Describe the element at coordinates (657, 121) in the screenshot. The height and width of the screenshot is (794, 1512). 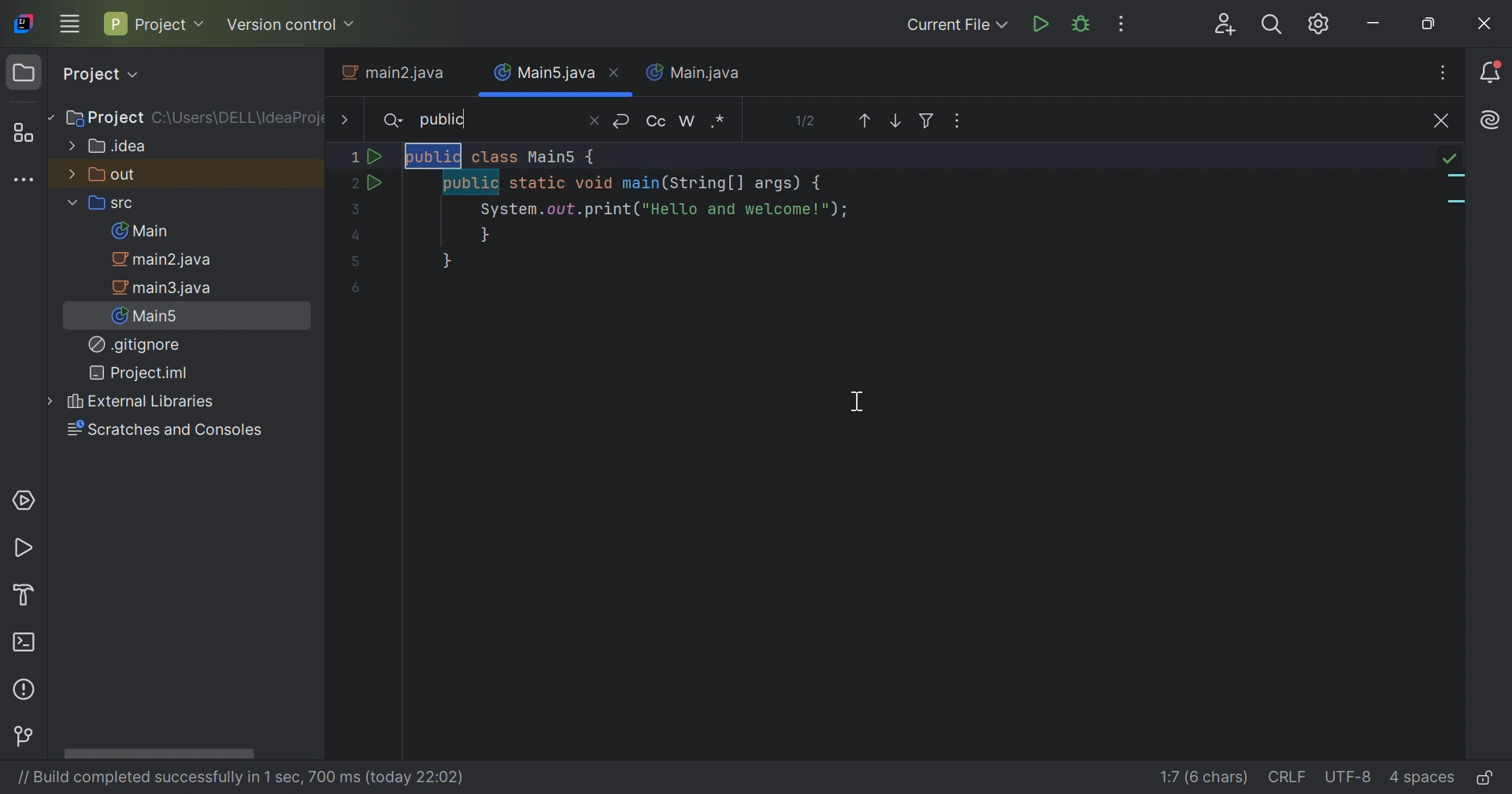
I see `Match case` at that location.